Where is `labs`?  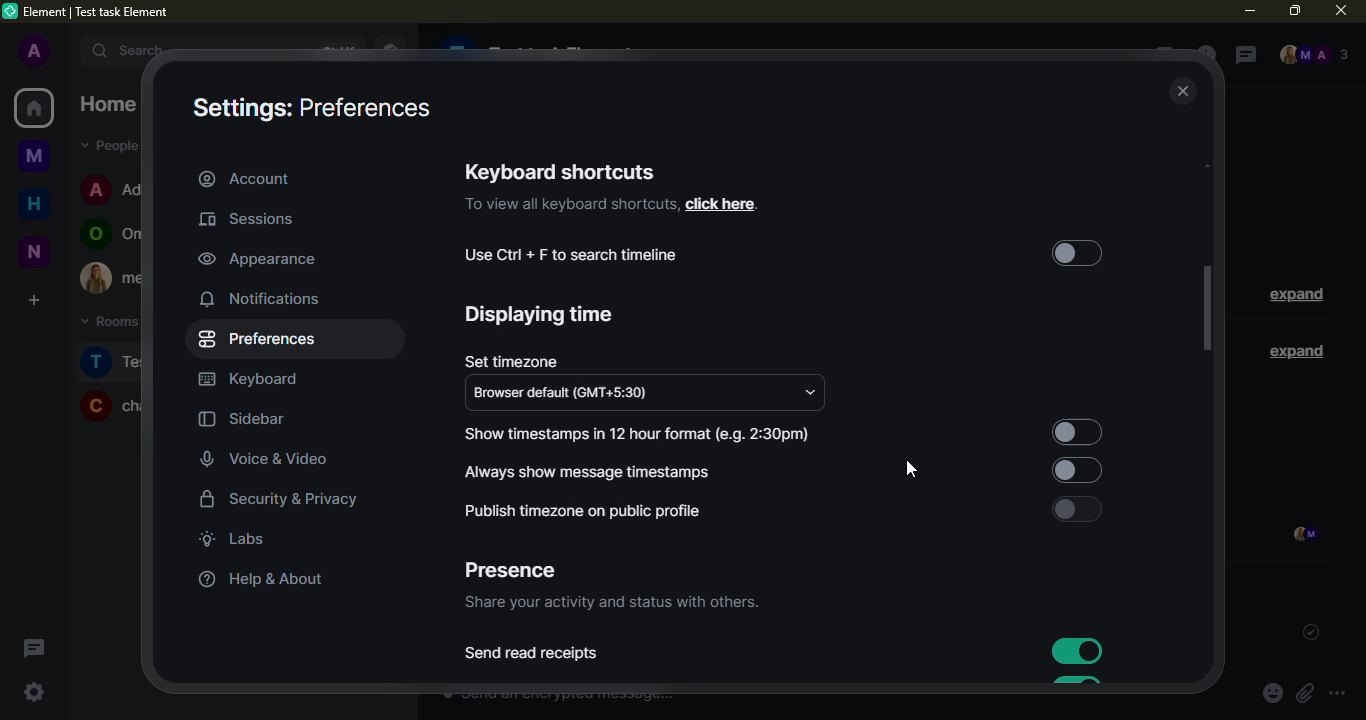
labs is located at coordinates (232, 538).